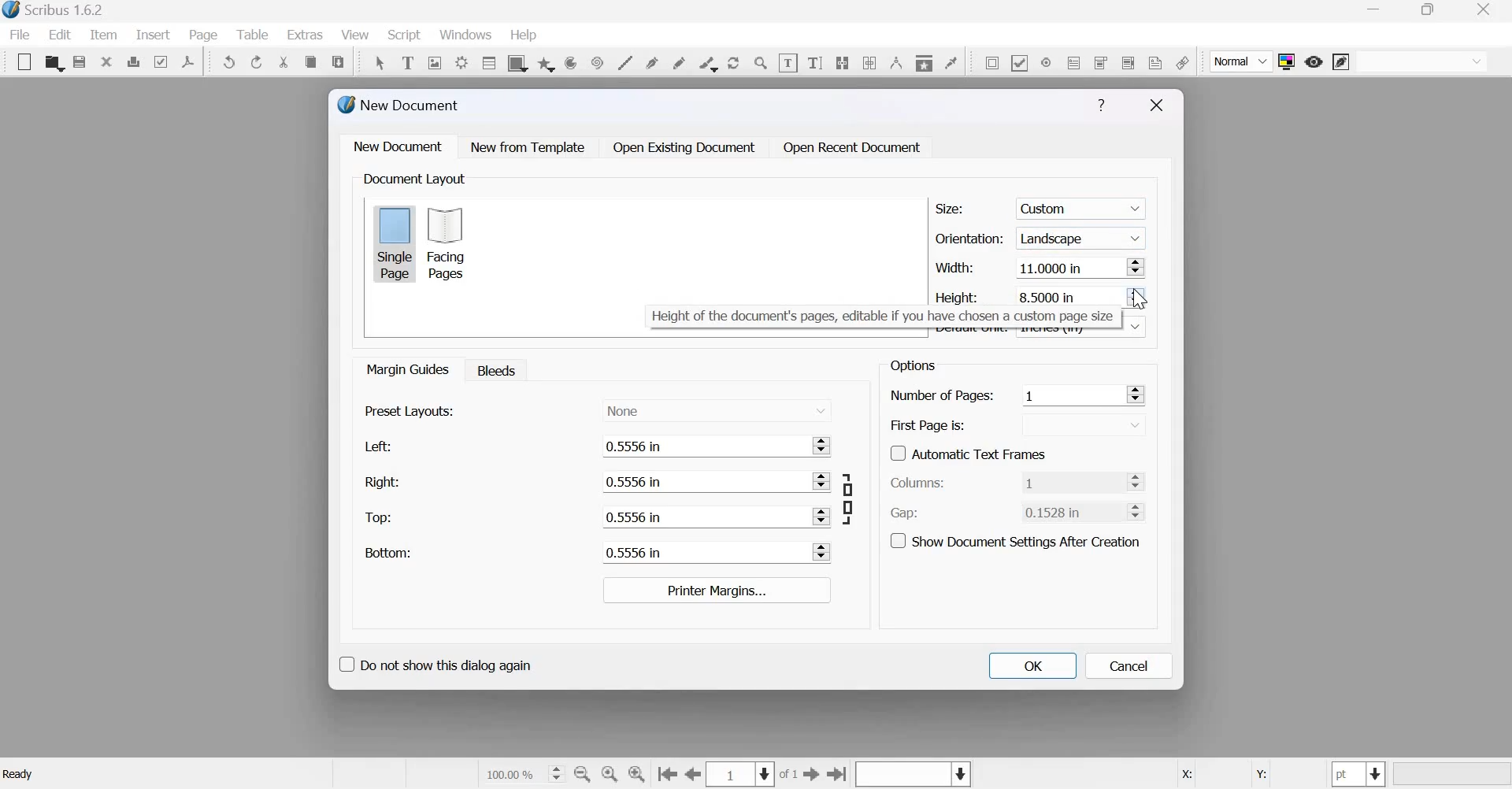 The image size is (1512, 789). What do you see at coordinates (910, 365) in the screenshot?
I see `Options` at bounding box center [910, 365].